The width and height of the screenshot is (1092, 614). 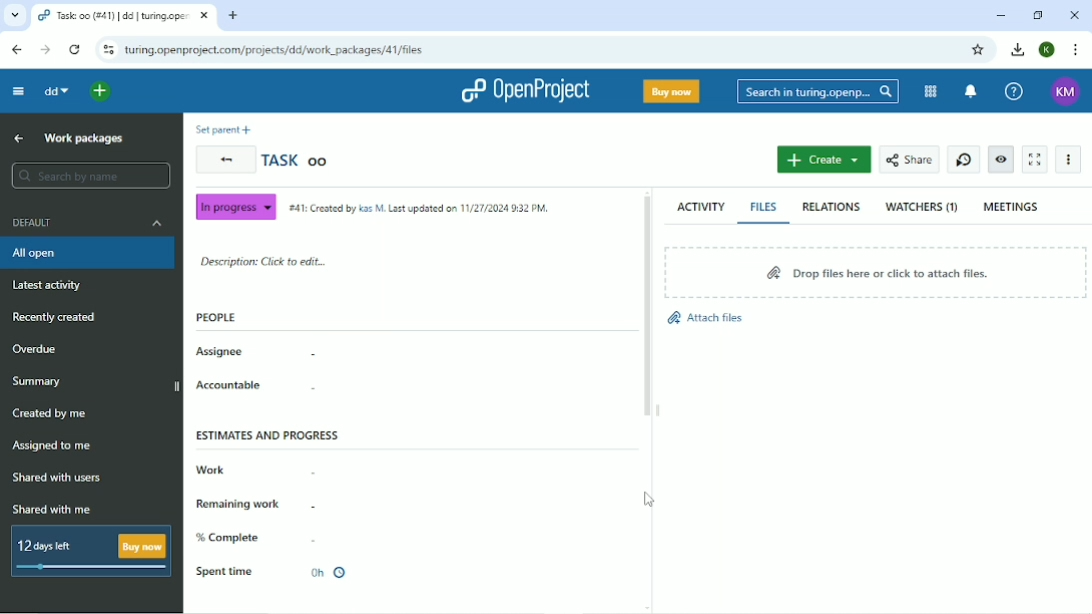 What do you see at coordinates (57, 479) in the screenshot?
I see `Shared with users` at bounding box center [57, 479].